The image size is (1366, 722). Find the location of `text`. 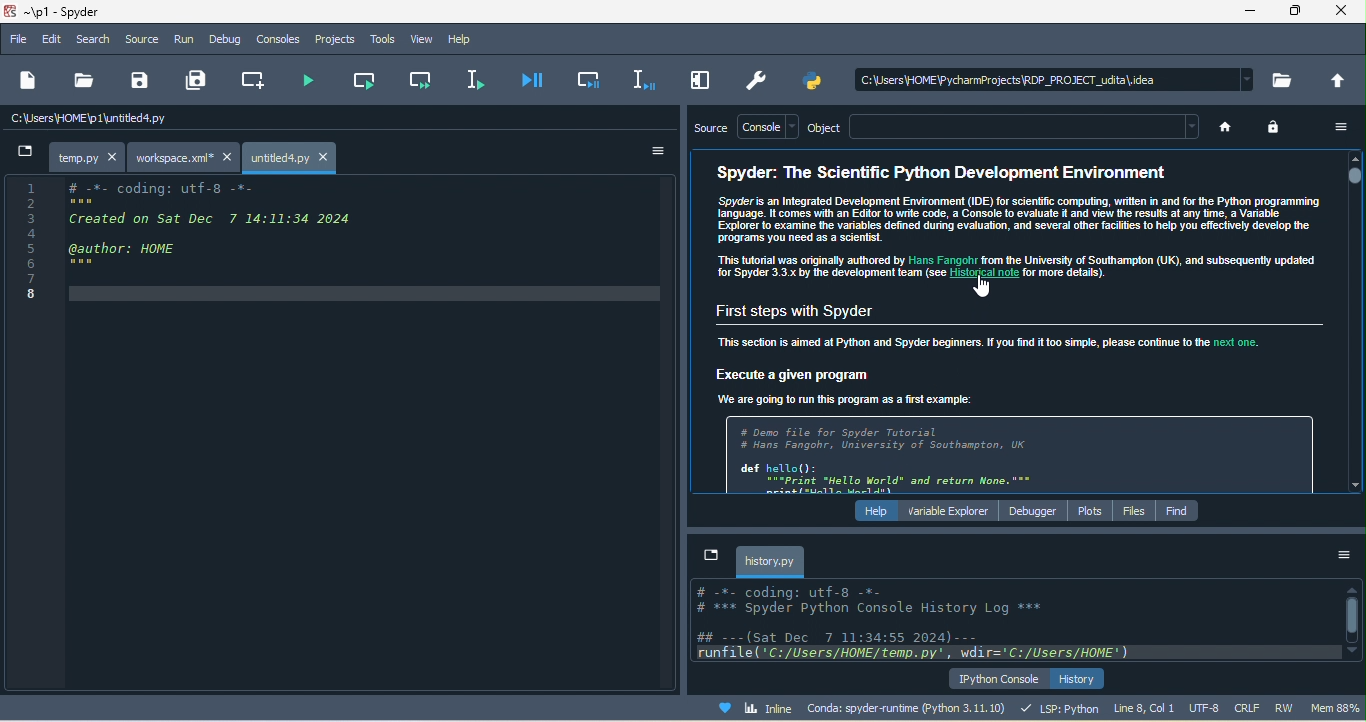

text is located at coordinates (1004, 622).